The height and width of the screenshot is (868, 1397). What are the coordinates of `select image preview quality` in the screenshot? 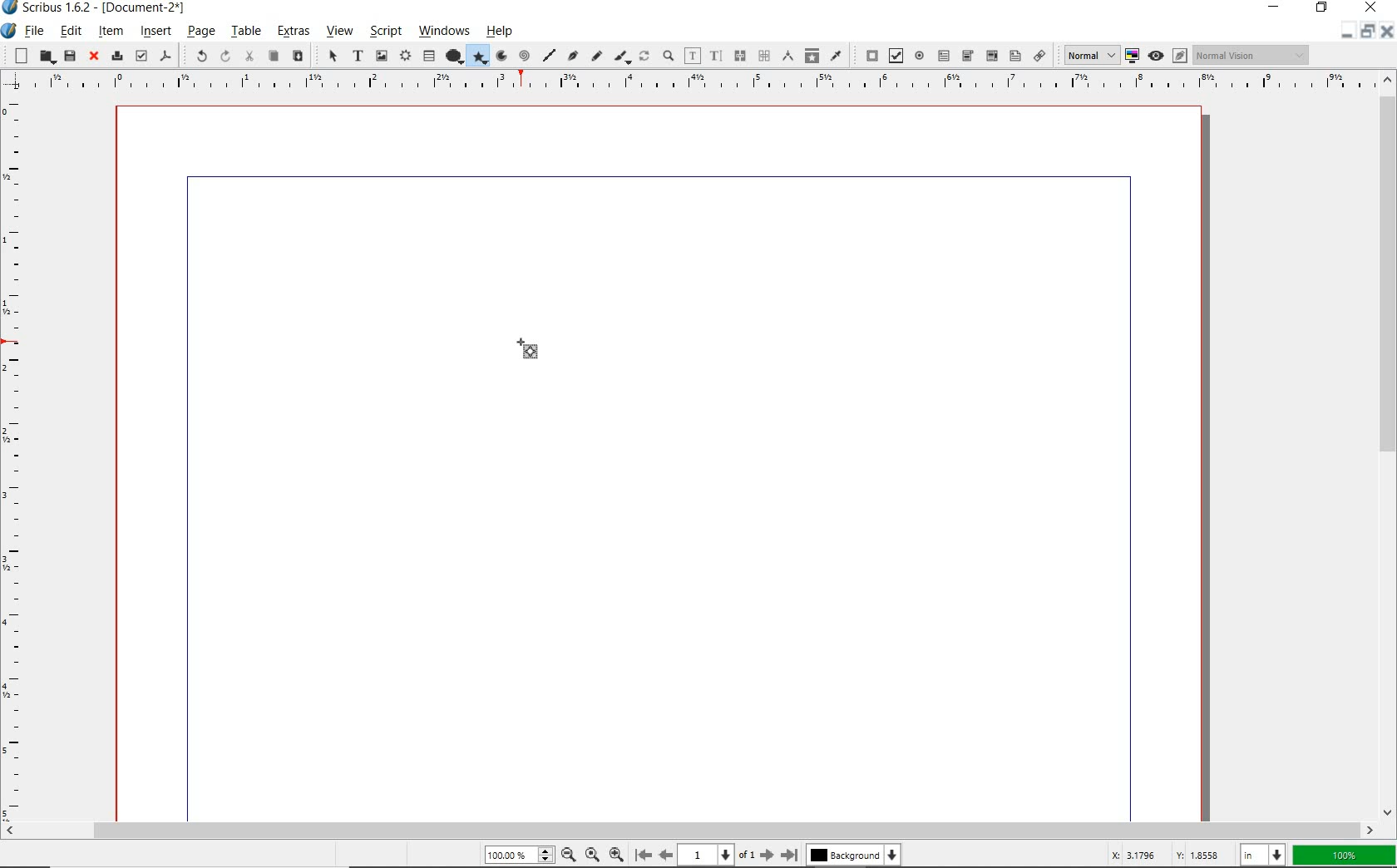 It's located at (1086, 55).